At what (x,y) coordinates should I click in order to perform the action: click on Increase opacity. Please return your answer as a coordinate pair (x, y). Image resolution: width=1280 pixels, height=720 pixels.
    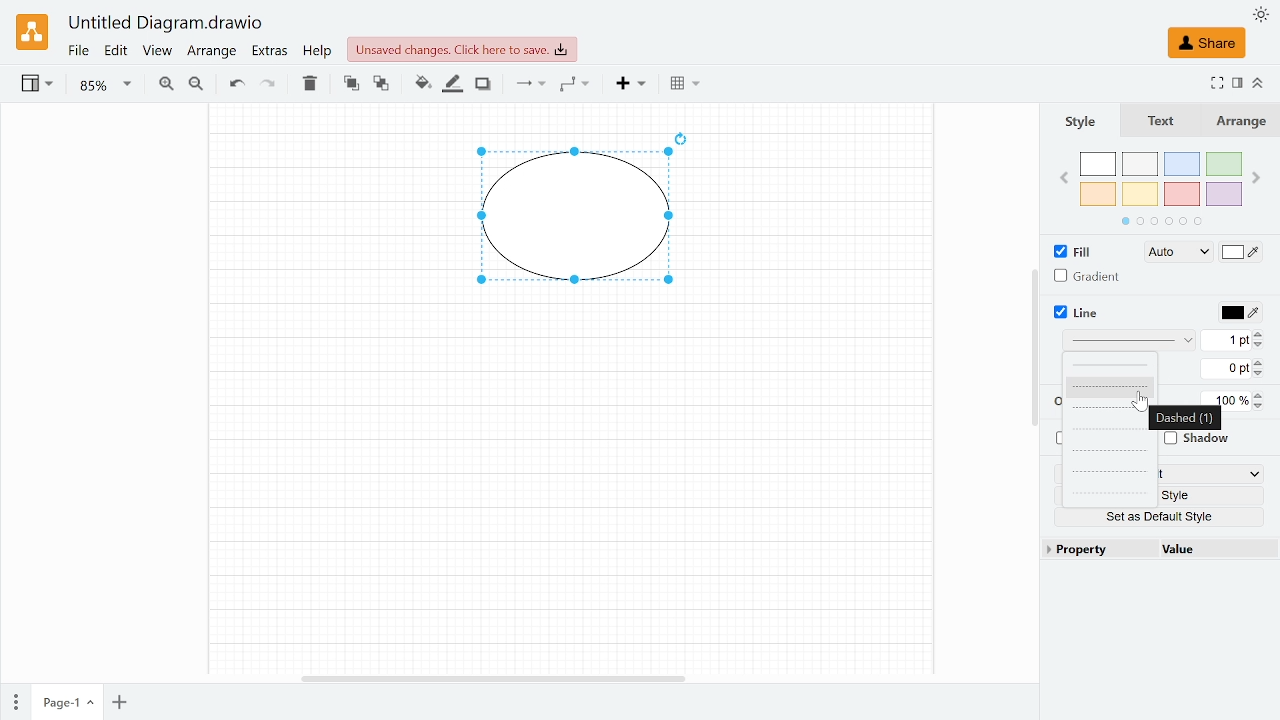
    Looking at the image, I should click on (1259, 395).